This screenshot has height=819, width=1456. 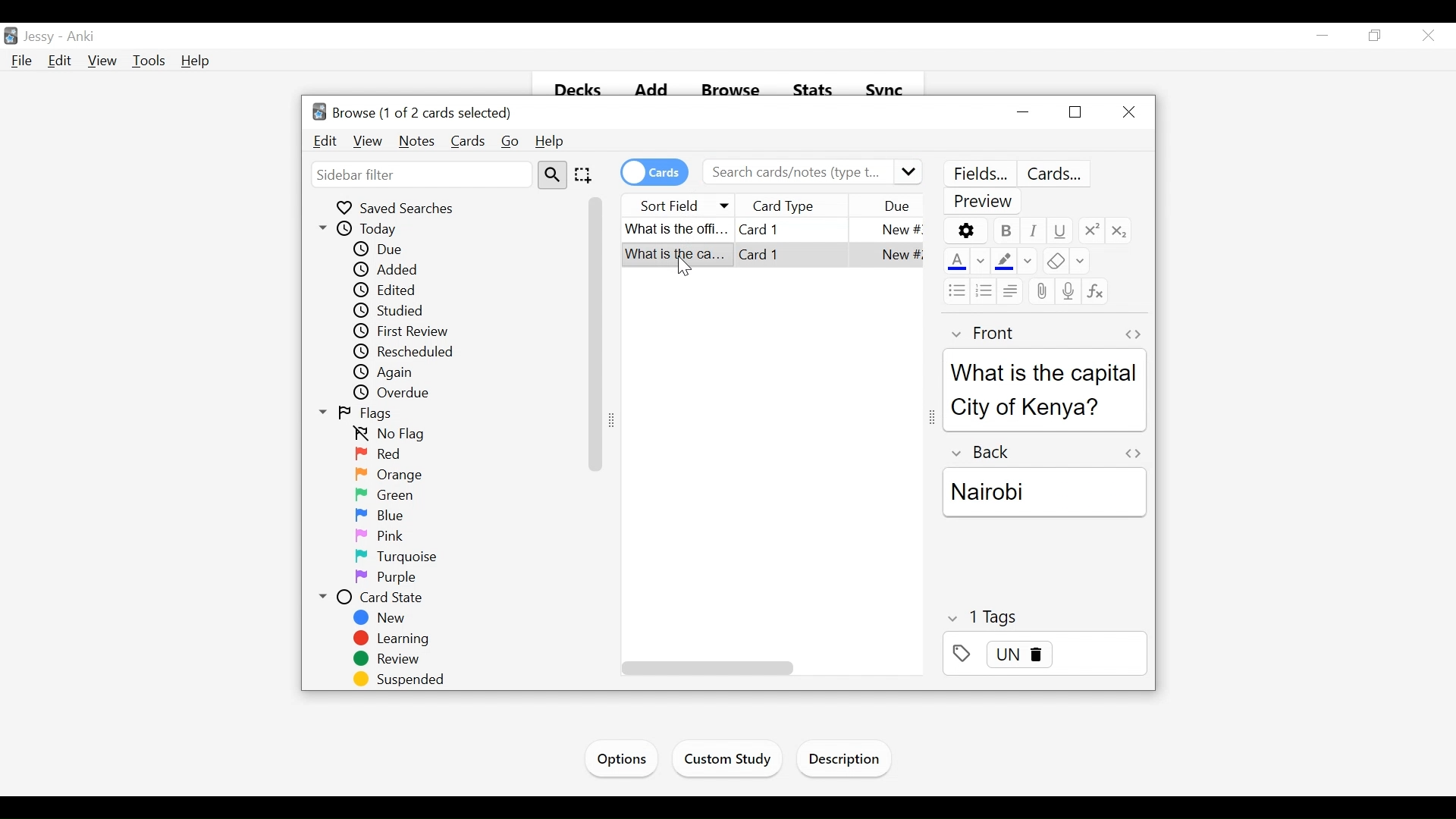 I want to click on Tools, so click(x=151, y=61).